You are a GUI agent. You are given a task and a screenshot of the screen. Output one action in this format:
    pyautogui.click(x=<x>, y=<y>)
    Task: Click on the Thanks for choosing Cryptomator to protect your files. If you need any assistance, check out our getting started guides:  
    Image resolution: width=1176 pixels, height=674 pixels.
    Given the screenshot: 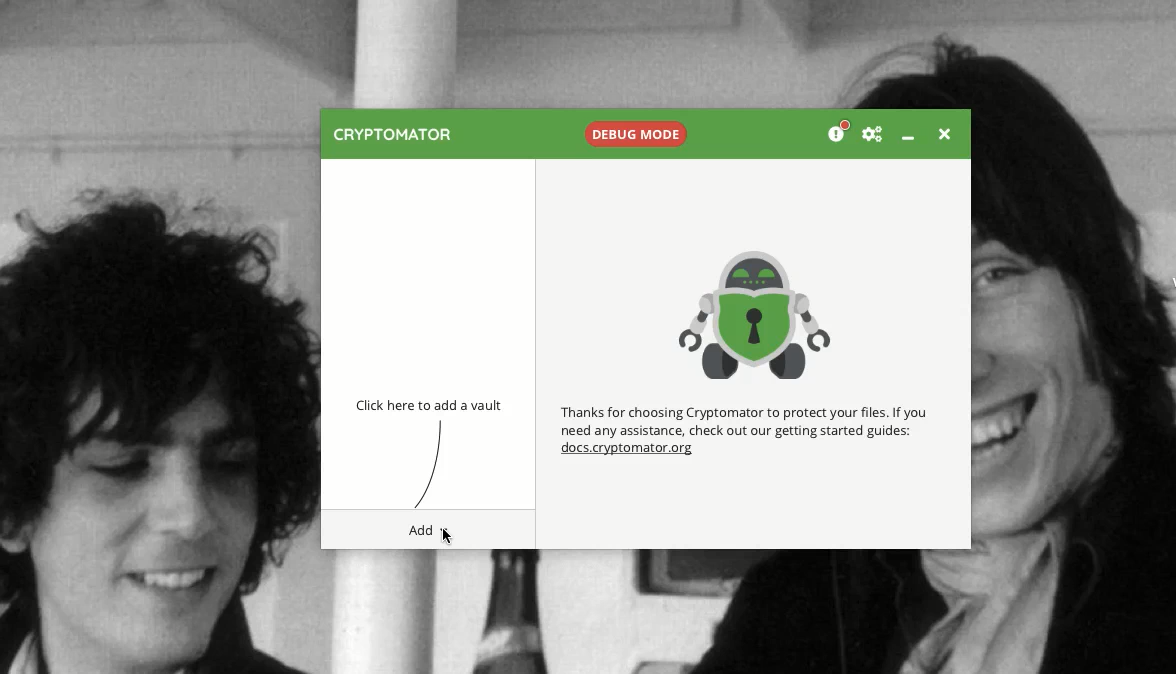 What is the action you would take?
    pyautogui.click(x=746, y=420)
    